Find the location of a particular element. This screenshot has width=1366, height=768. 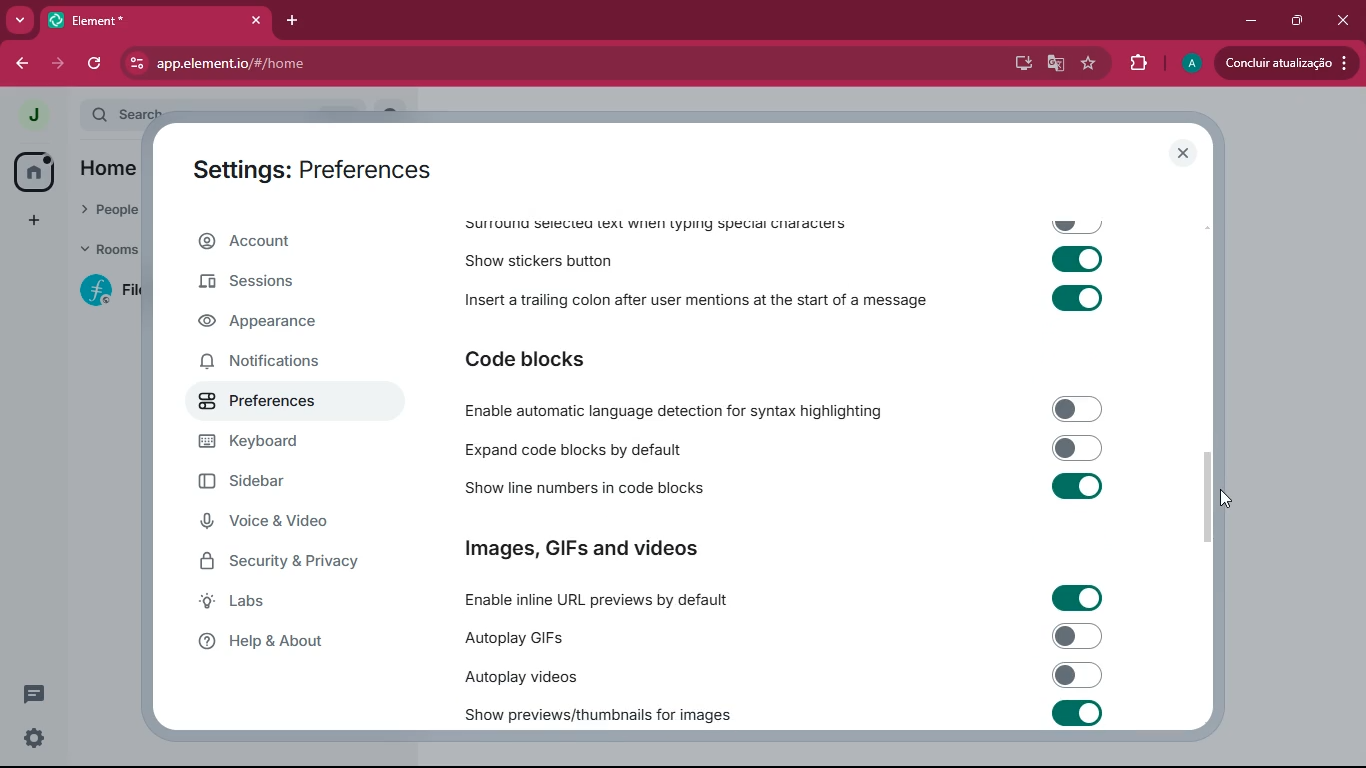

account is located at coordinates (287, 241).